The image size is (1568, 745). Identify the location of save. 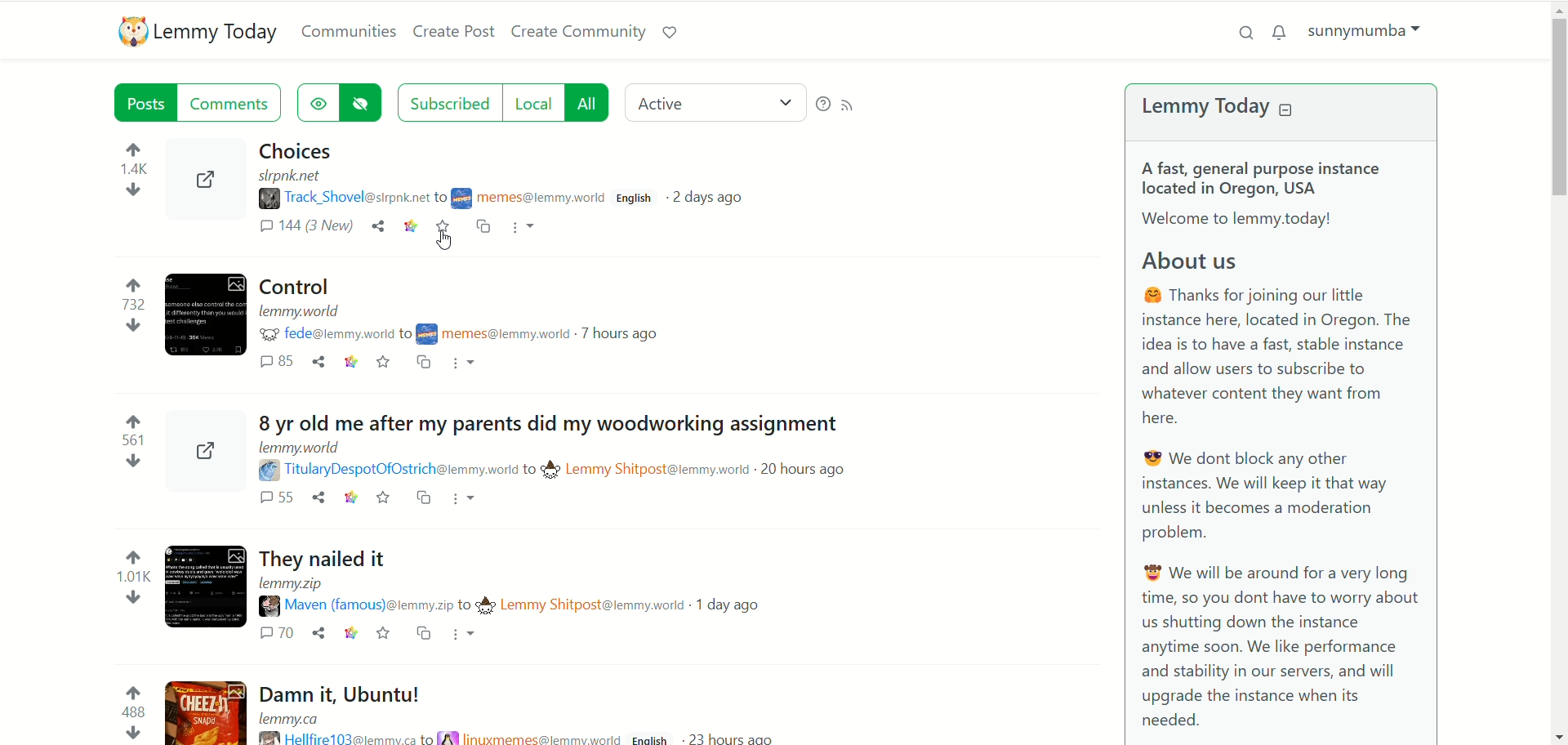
(381, 497).